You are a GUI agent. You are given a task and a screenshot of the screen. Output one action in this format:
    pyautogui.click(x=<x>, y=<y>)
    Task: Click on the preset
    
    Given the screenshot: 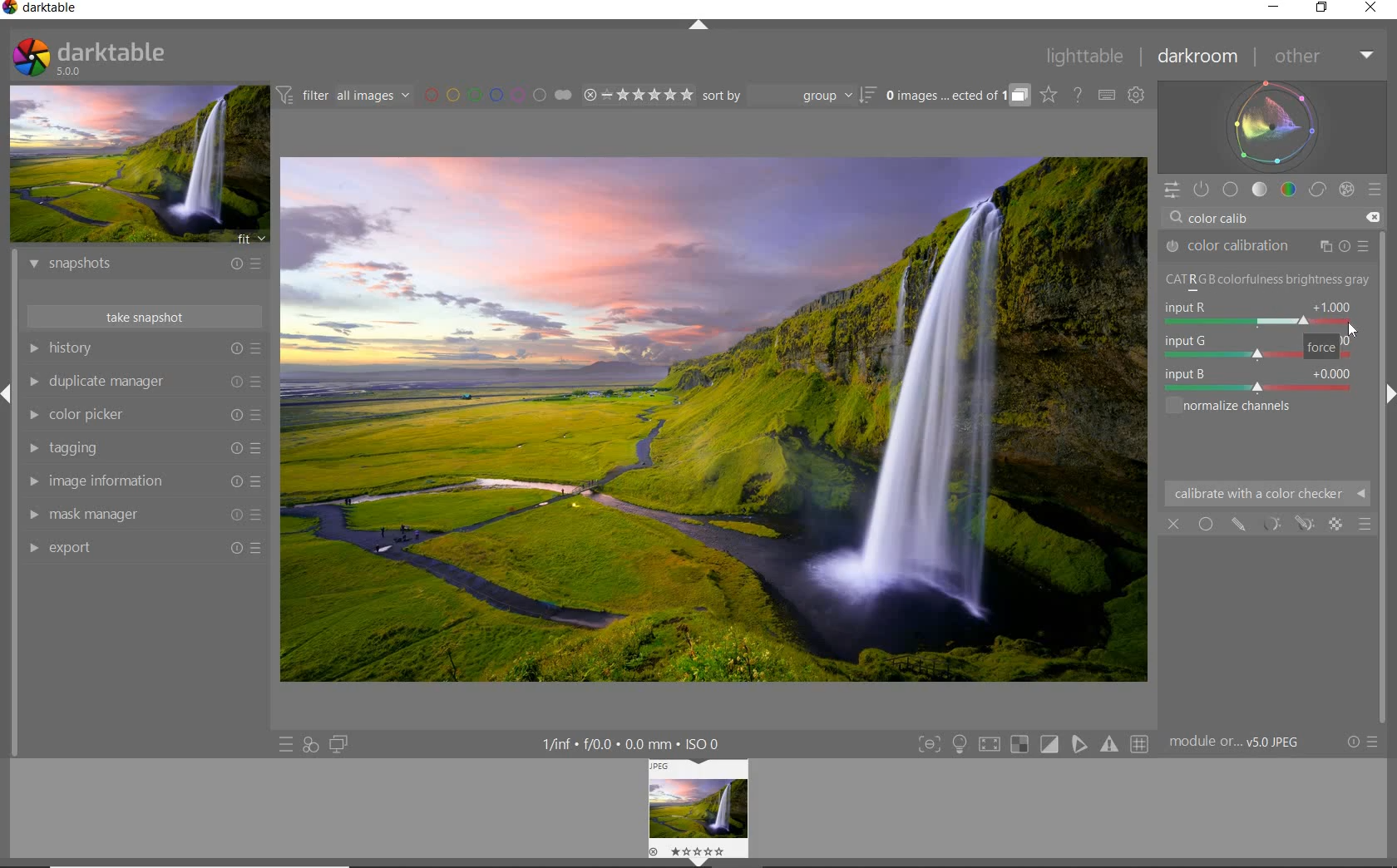 What is the action you would take?
    pyautogui.click(x=1376, y=192)
    